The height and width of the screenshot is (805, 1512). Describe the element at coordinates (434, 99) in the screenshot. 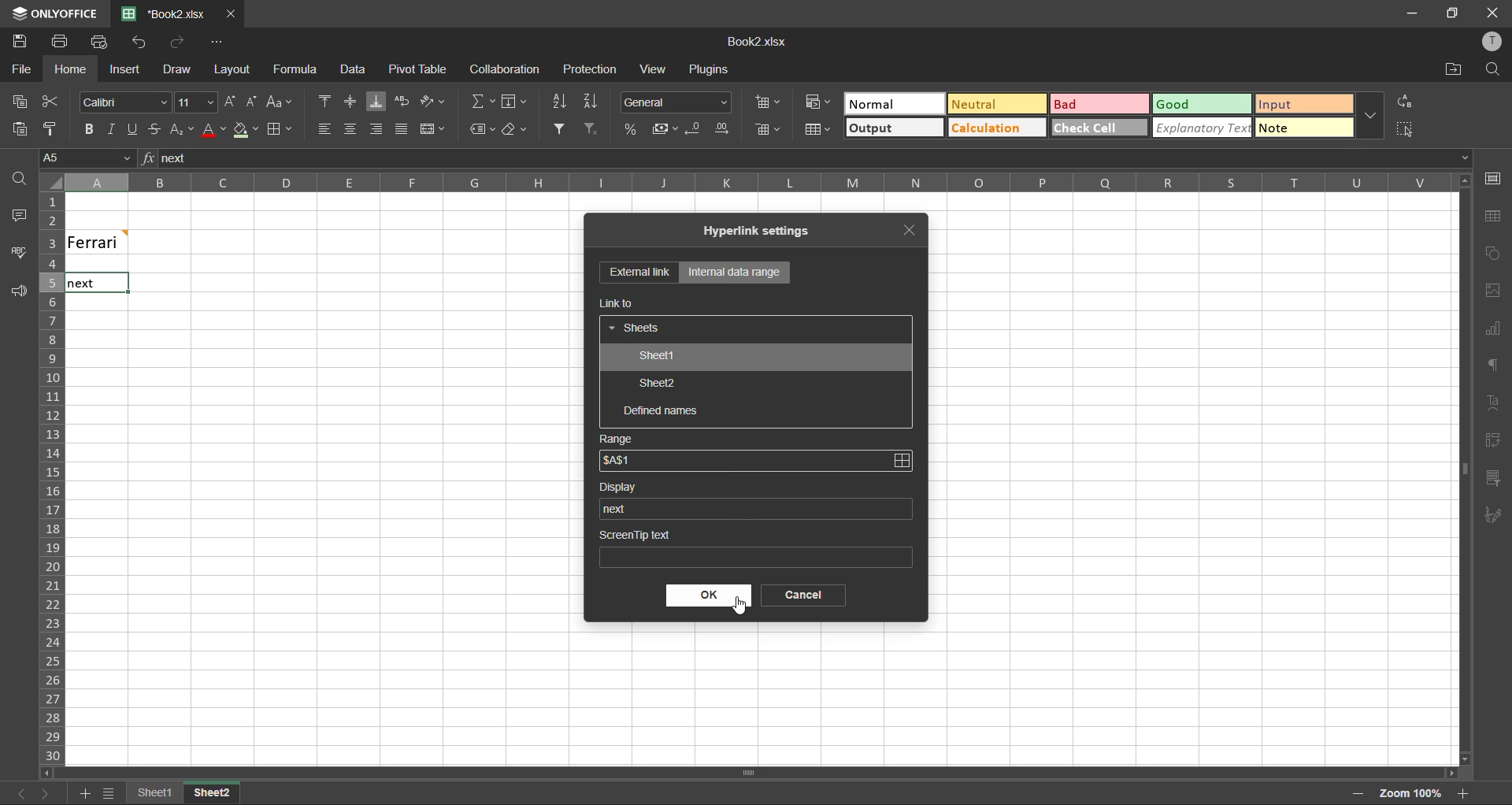

I see `orientation` at that location.